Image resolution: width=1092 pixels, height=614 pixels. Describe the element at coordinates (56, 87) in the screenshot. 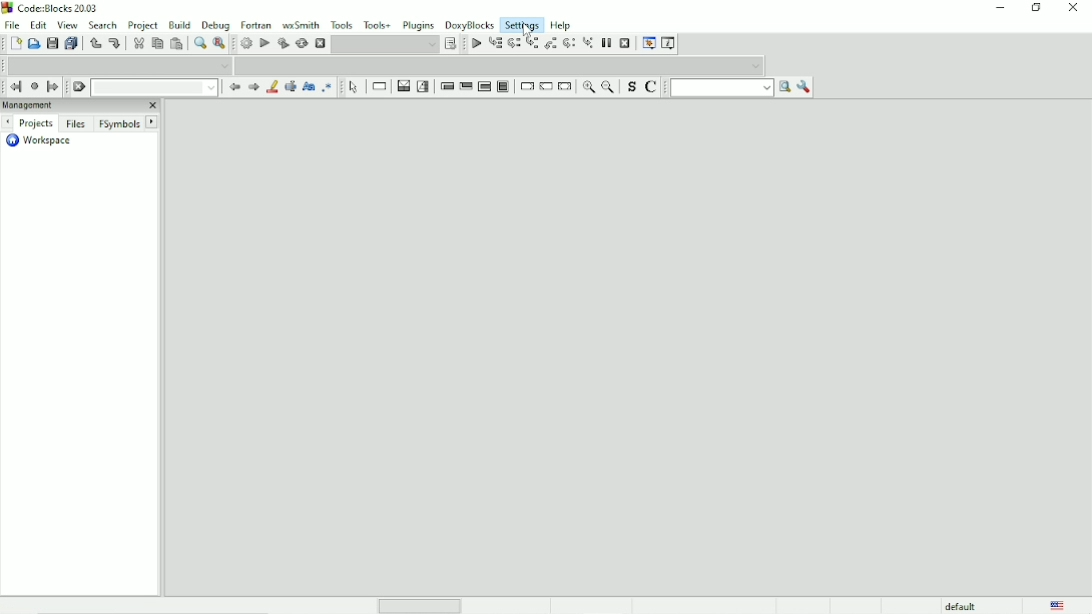

I see `Jump forward` at that location.